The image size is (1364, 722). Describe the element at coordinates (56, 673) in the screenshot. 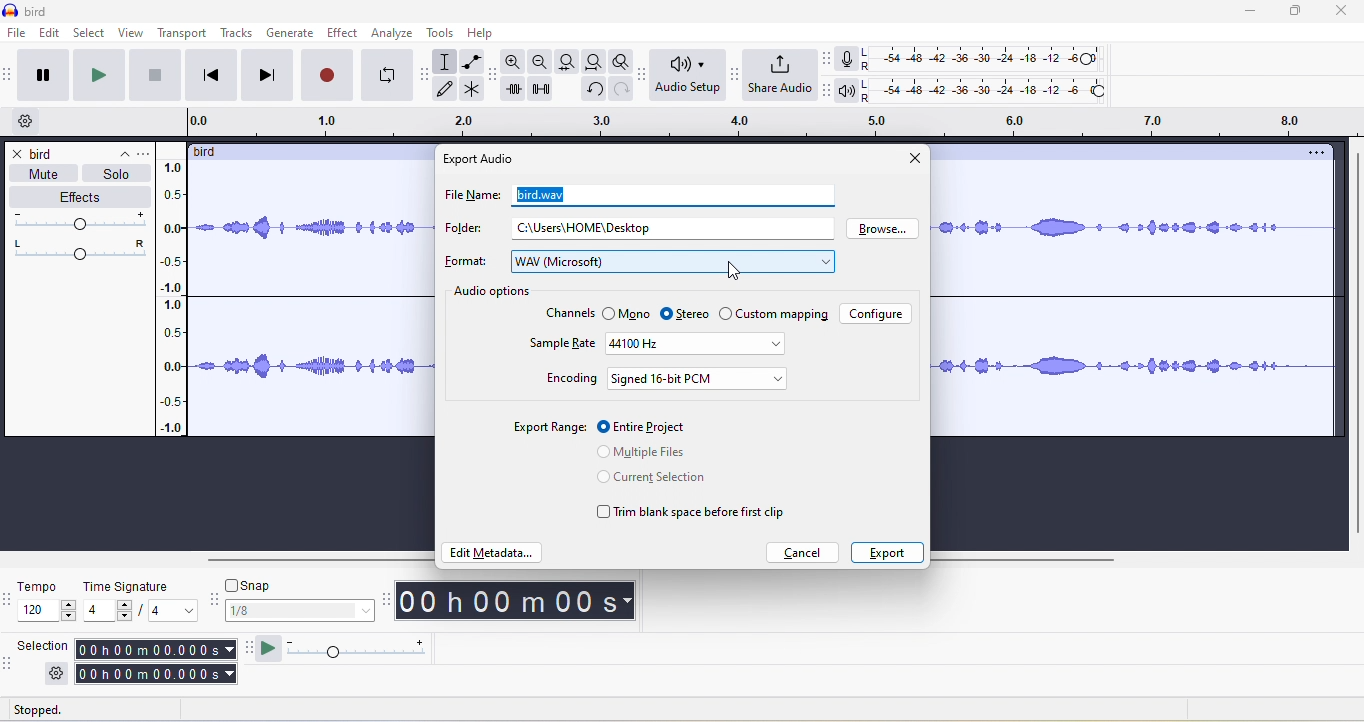

I see `selection settings` at that location.